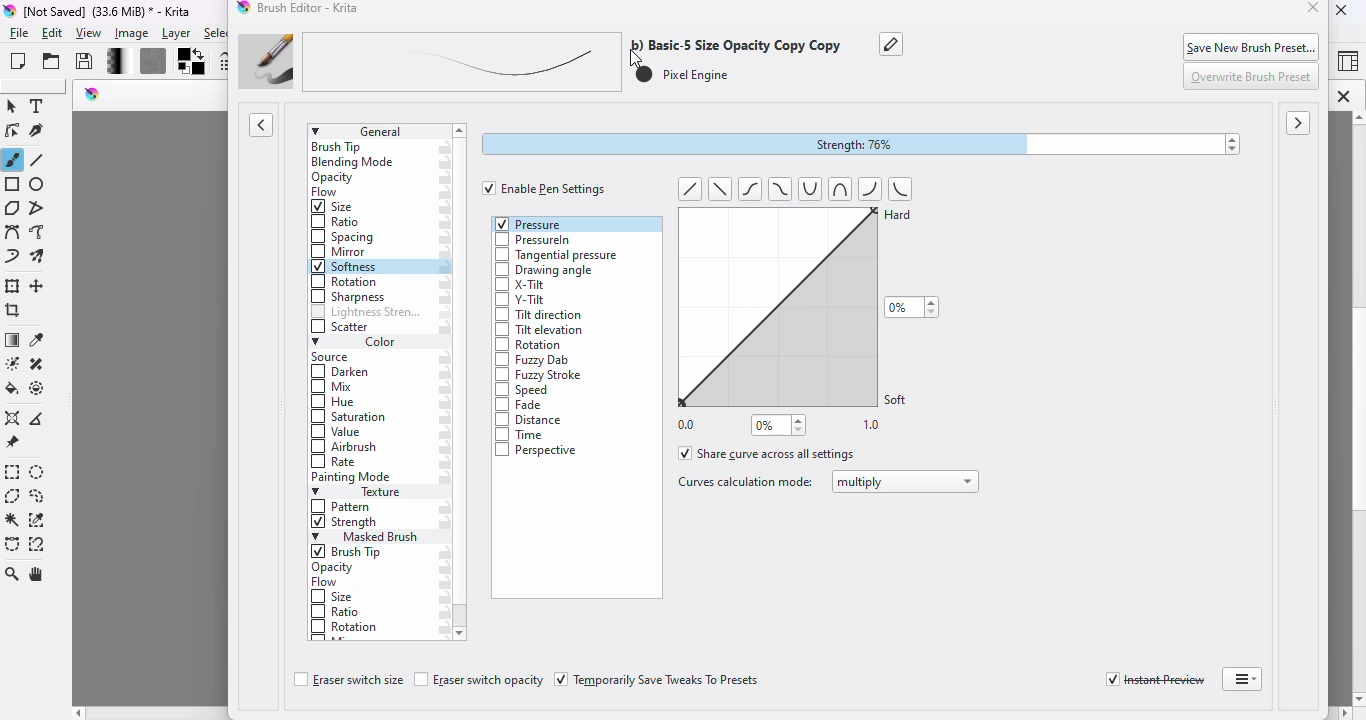 The width and height of the screenshot is (1366, 720). What do you see at coordinates (90, 34) in the screenshot?
I see `view` at bounding box center [90, 34].